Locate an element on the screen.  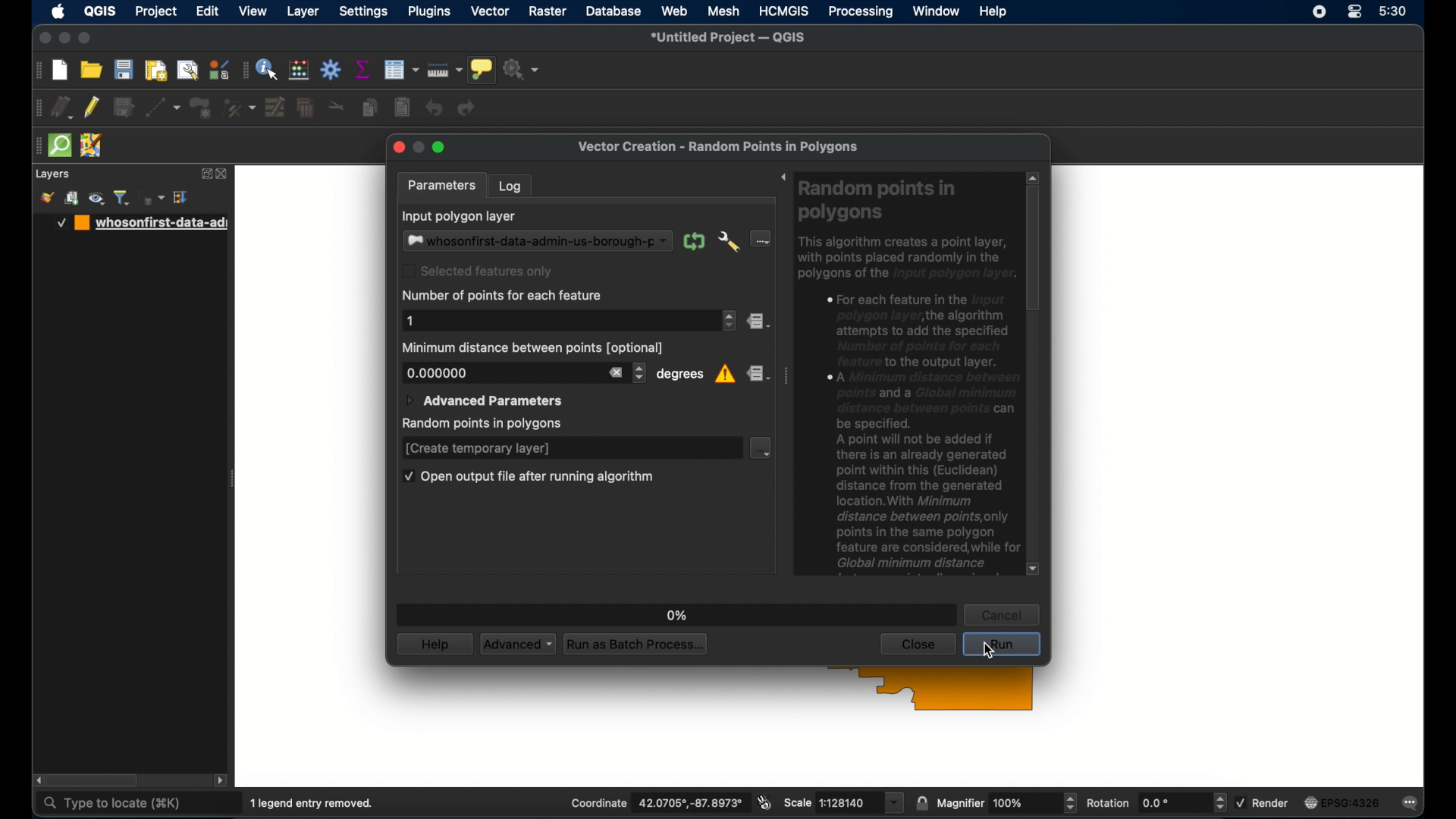
dropdown menu is located at coordinates (762, 448).